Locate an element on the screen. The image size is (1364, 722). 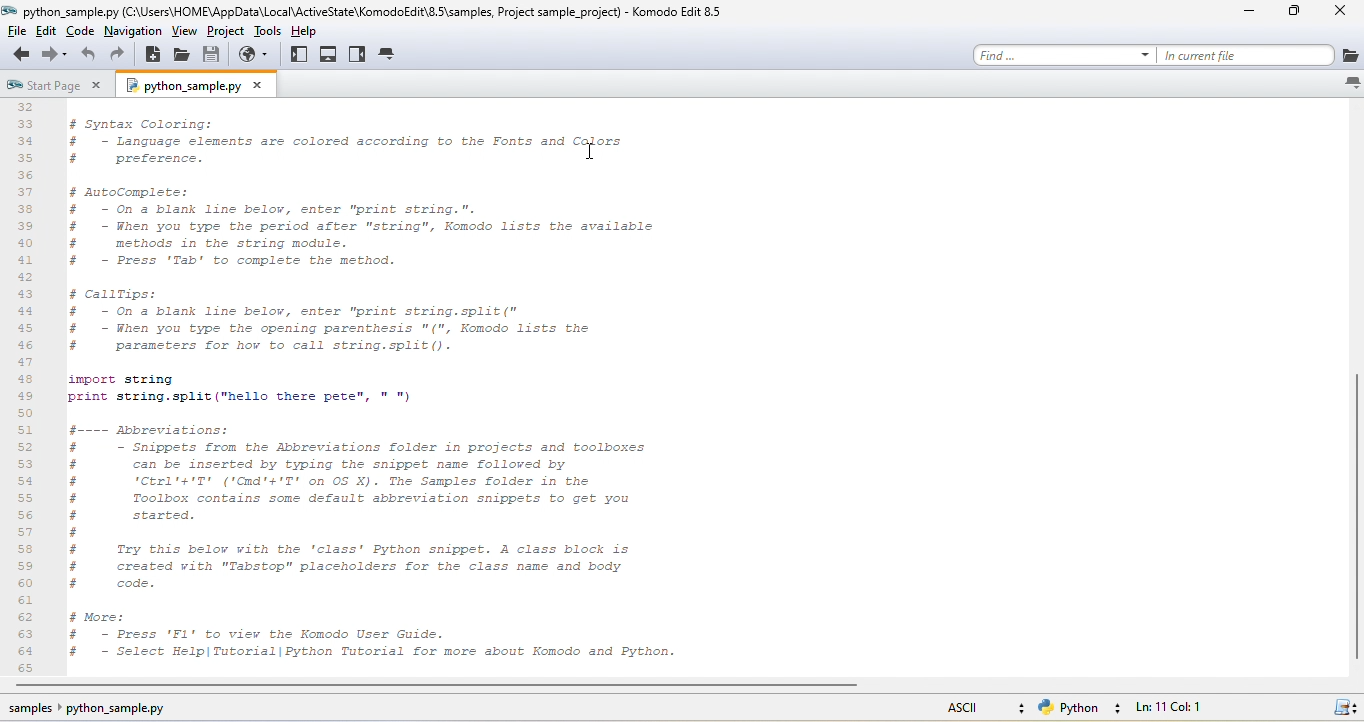
forward is located at coordinates (57, 56).